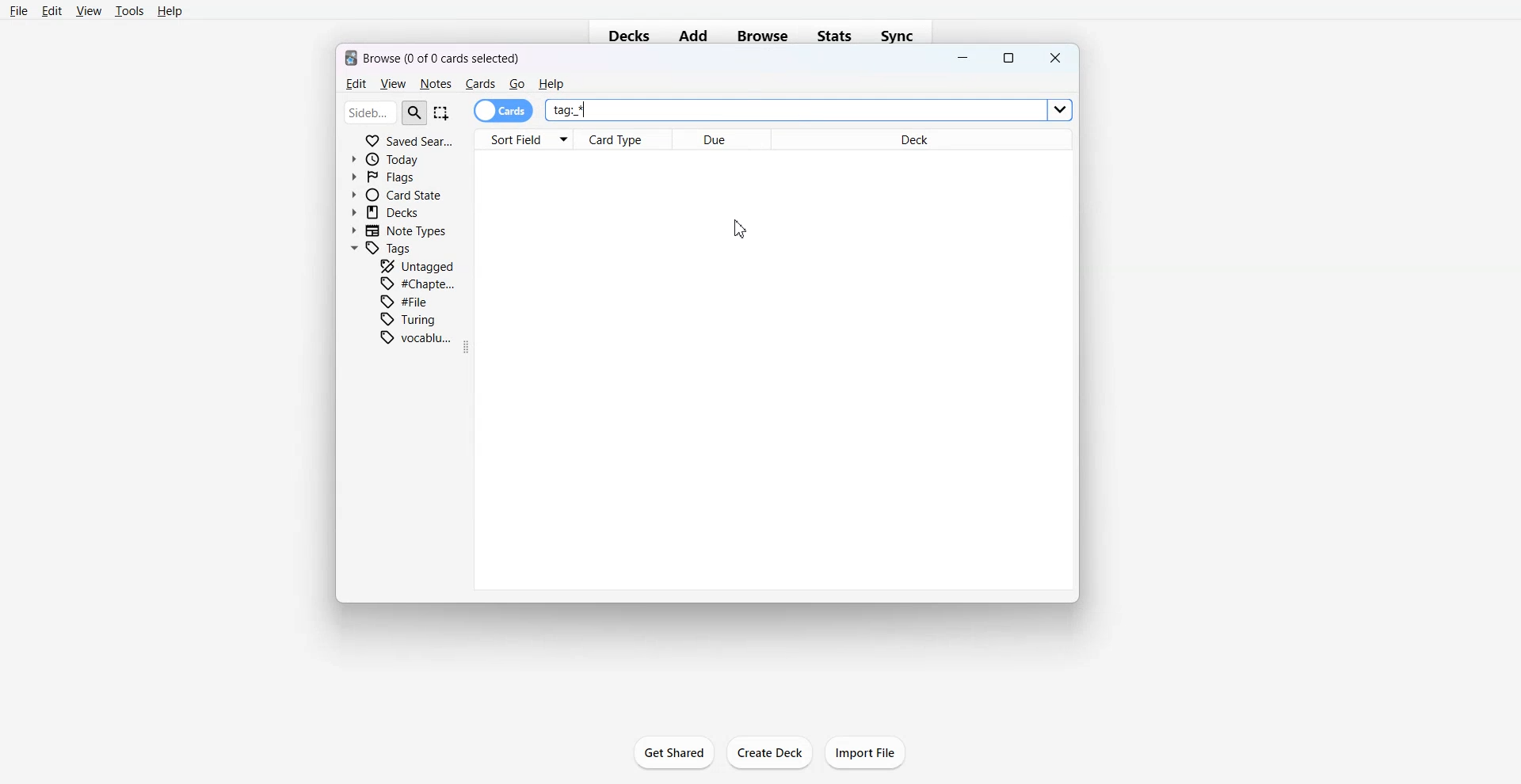 This screenshot has height=784, width=1521. I want to click on Decks, so click(387, 212).